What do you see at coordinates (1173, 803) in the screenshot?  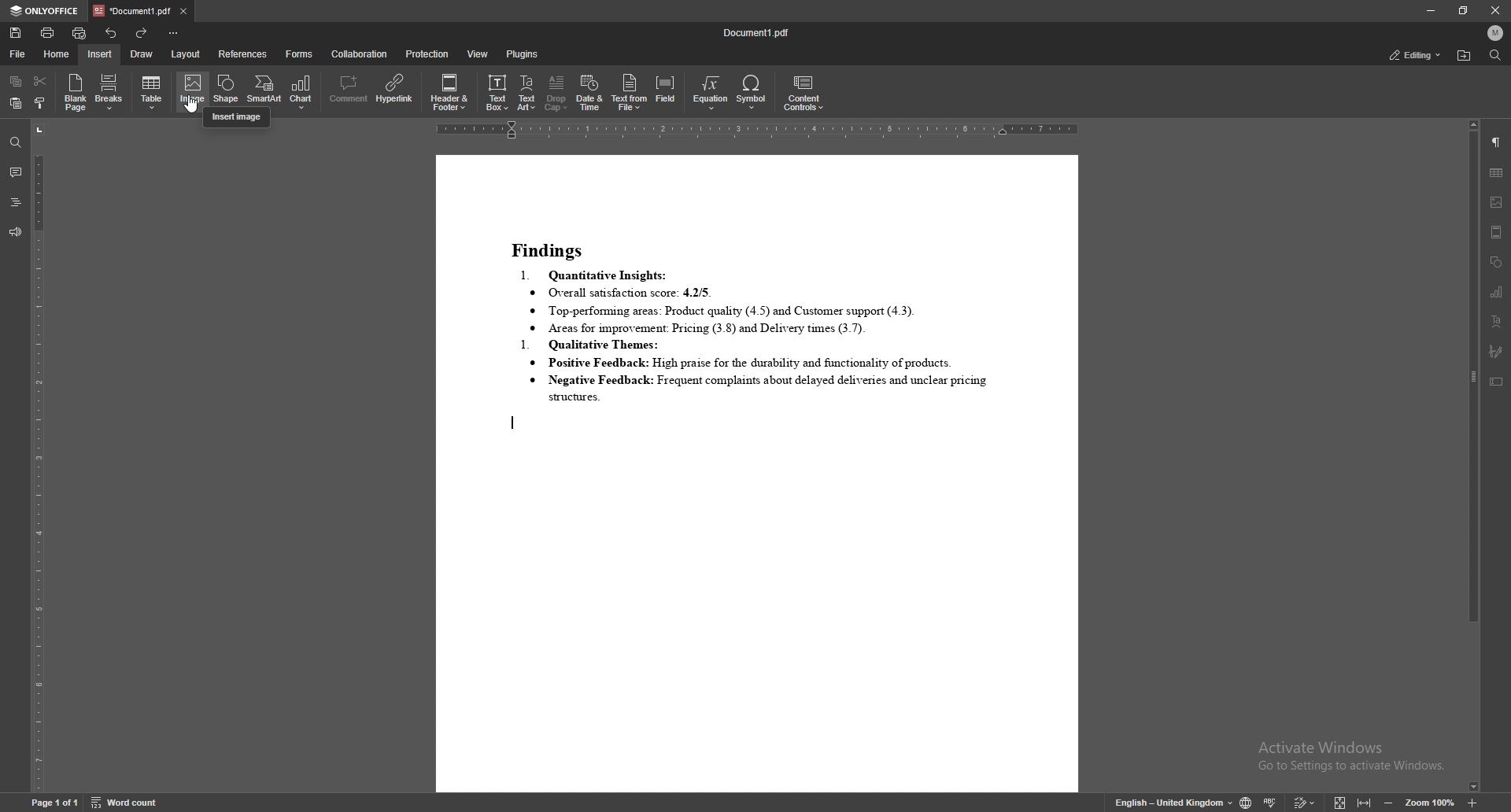 I see `change text language` at bounding box center [1173, 803].